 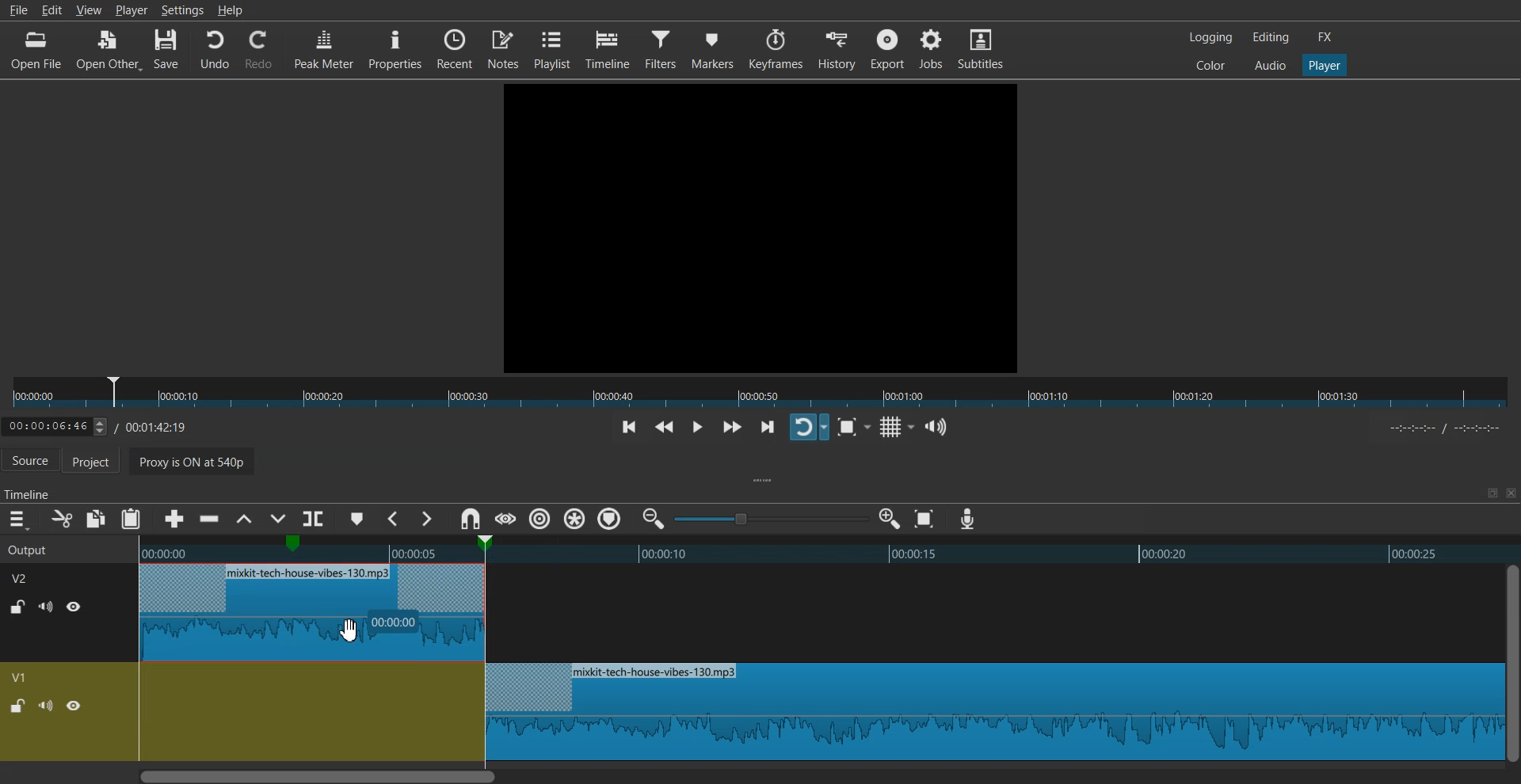 I want to click on Vertical Scroll bar, so click(x=1511, y=663).